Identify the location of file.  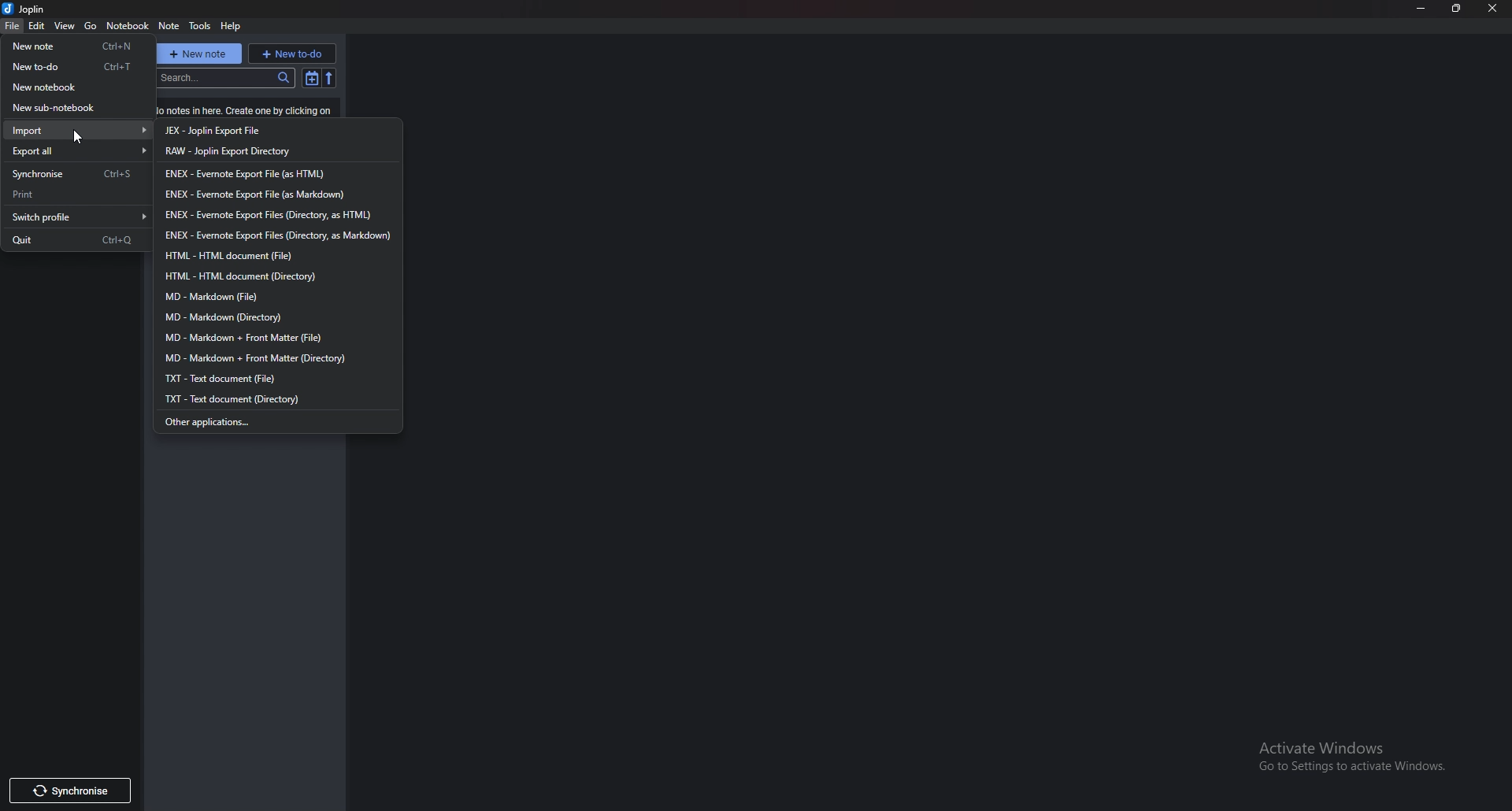
(13, 26).